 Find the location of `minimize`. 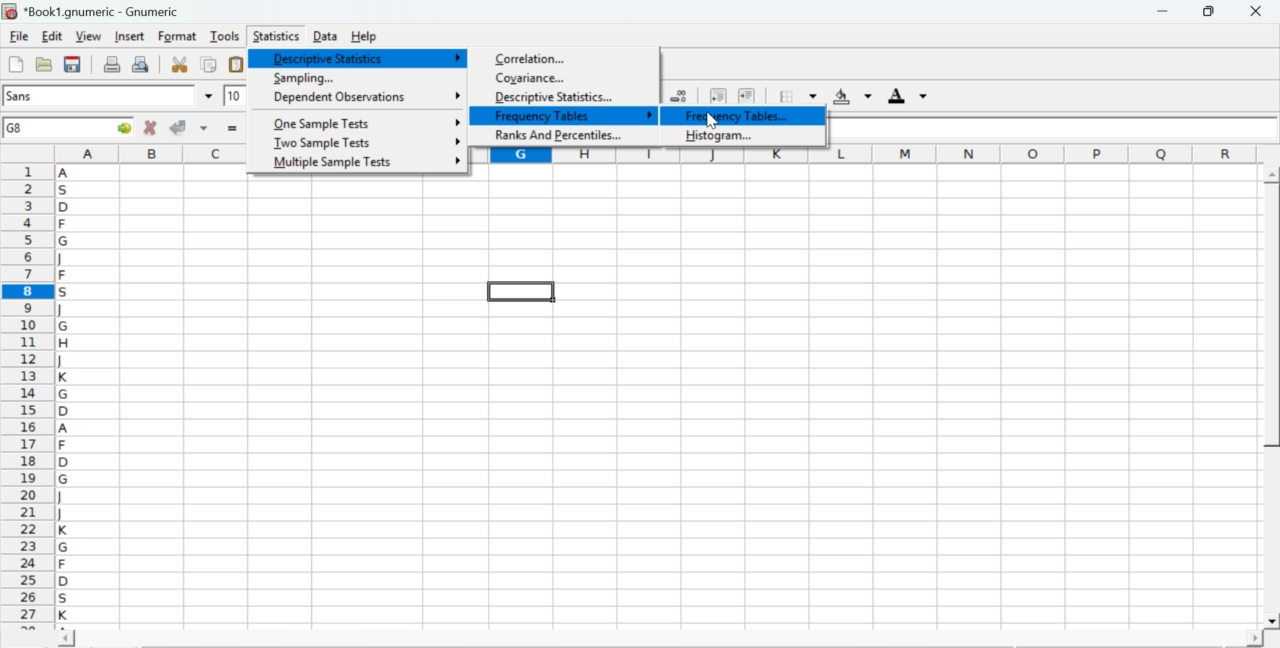

minimize is located at coordinates (1164, 11).